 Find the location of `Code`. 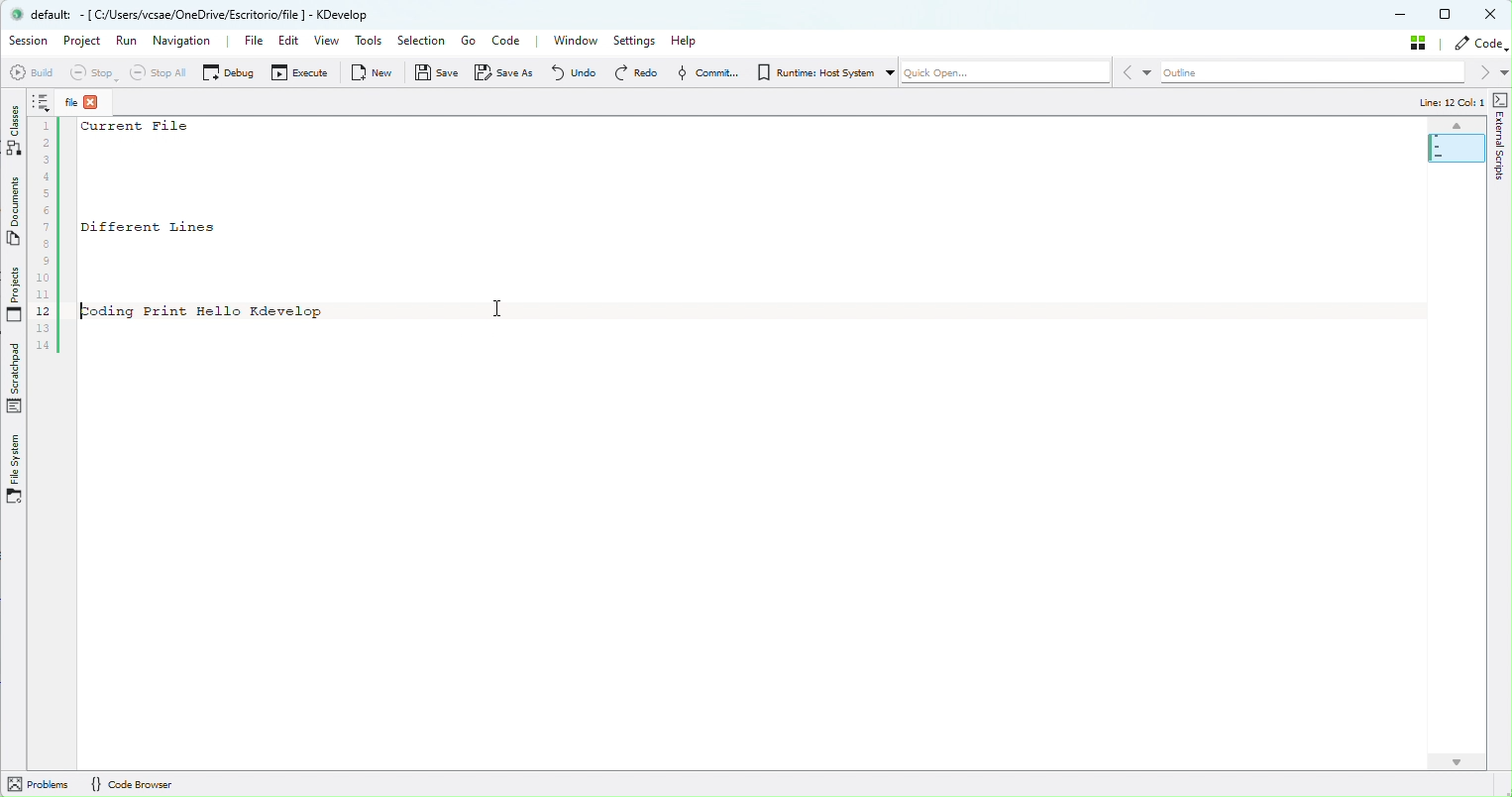

Code is located at coordinates (508, 40).